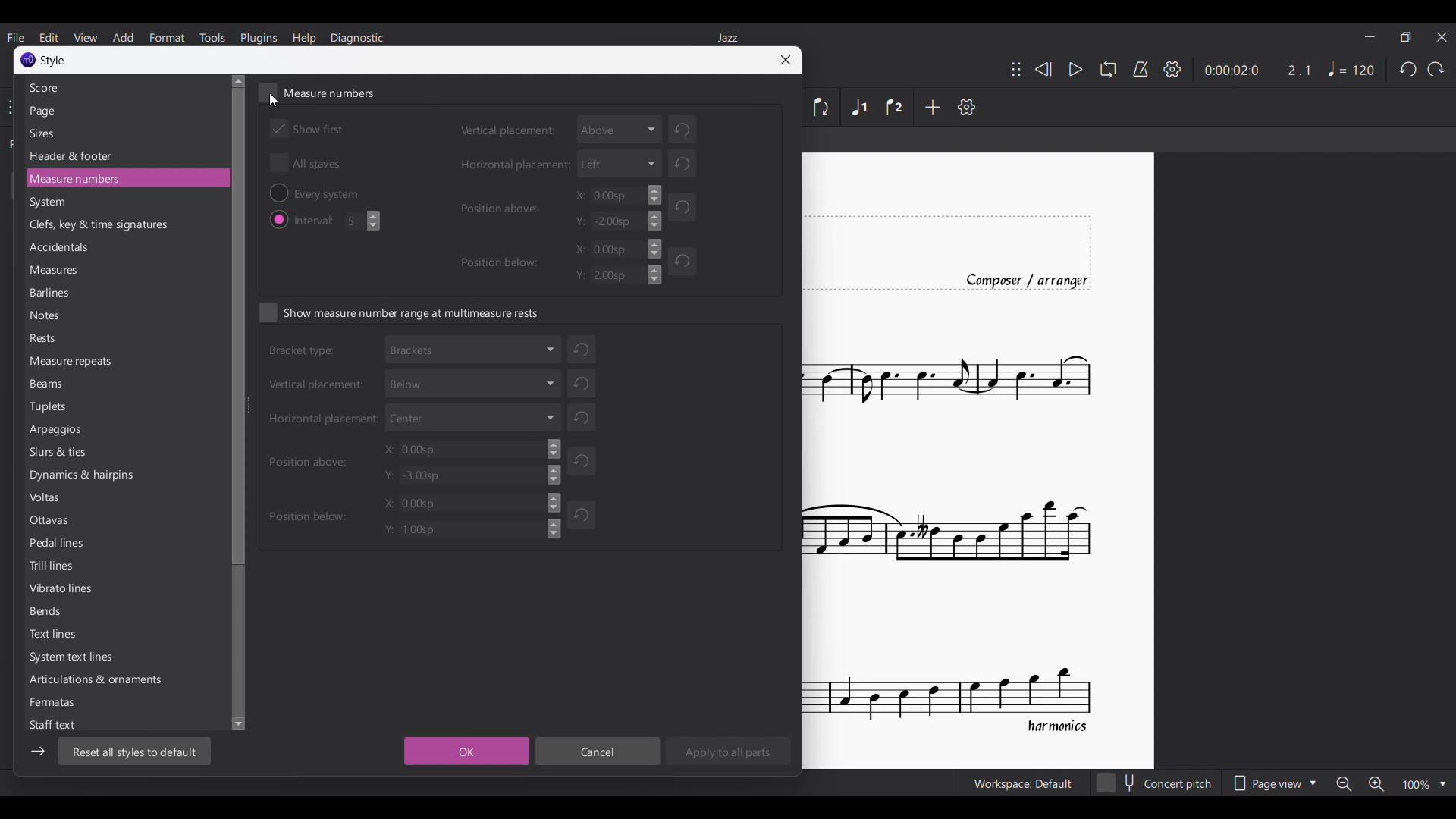 This screenshot has height=819, width=1456. What do you see at coordinates (1016, 69) in the screenshot?
I see `Change position` at bounding box center [1016, 69].